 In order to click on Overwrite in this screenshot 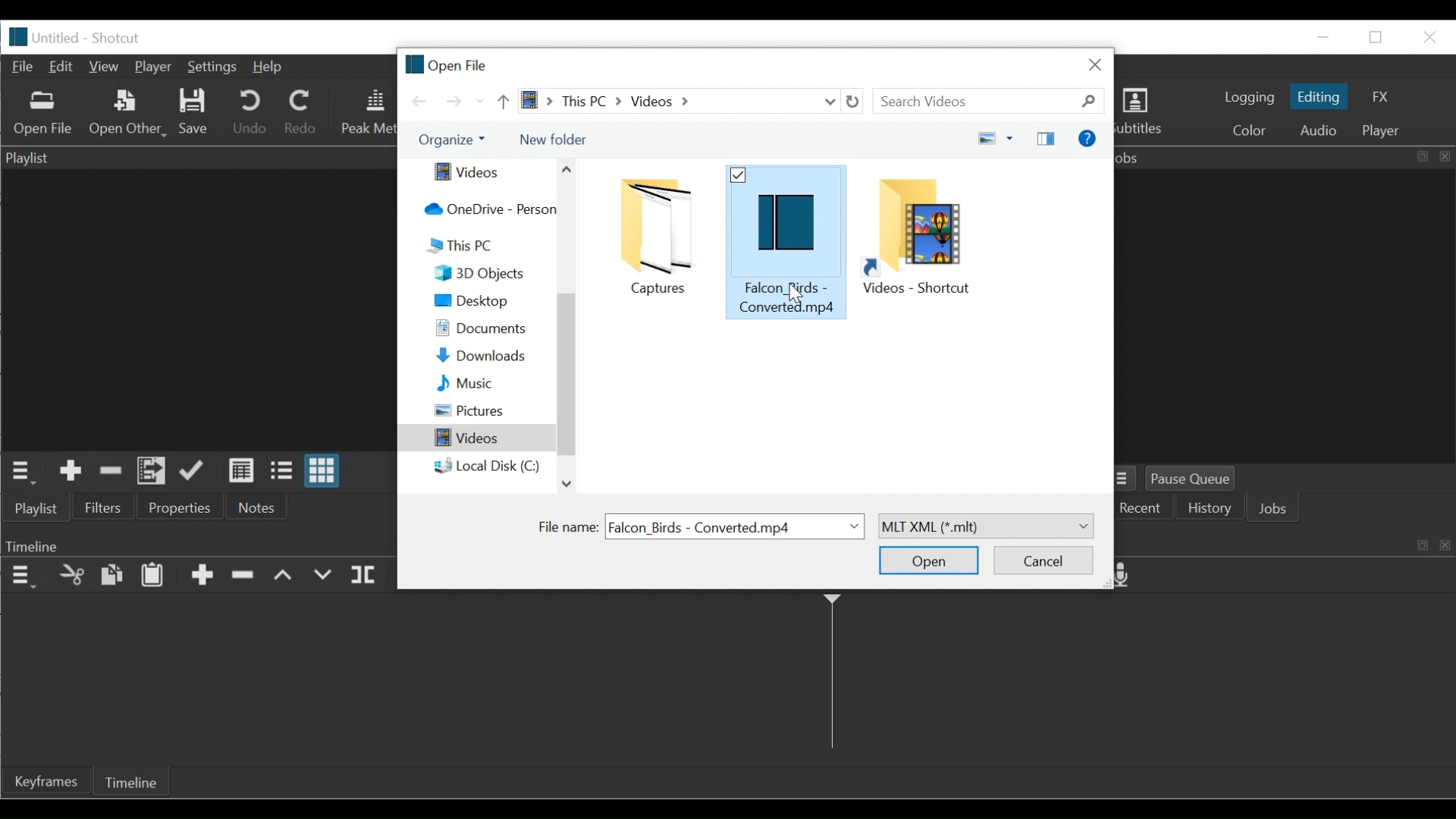, I will do `click(322, 576)`.